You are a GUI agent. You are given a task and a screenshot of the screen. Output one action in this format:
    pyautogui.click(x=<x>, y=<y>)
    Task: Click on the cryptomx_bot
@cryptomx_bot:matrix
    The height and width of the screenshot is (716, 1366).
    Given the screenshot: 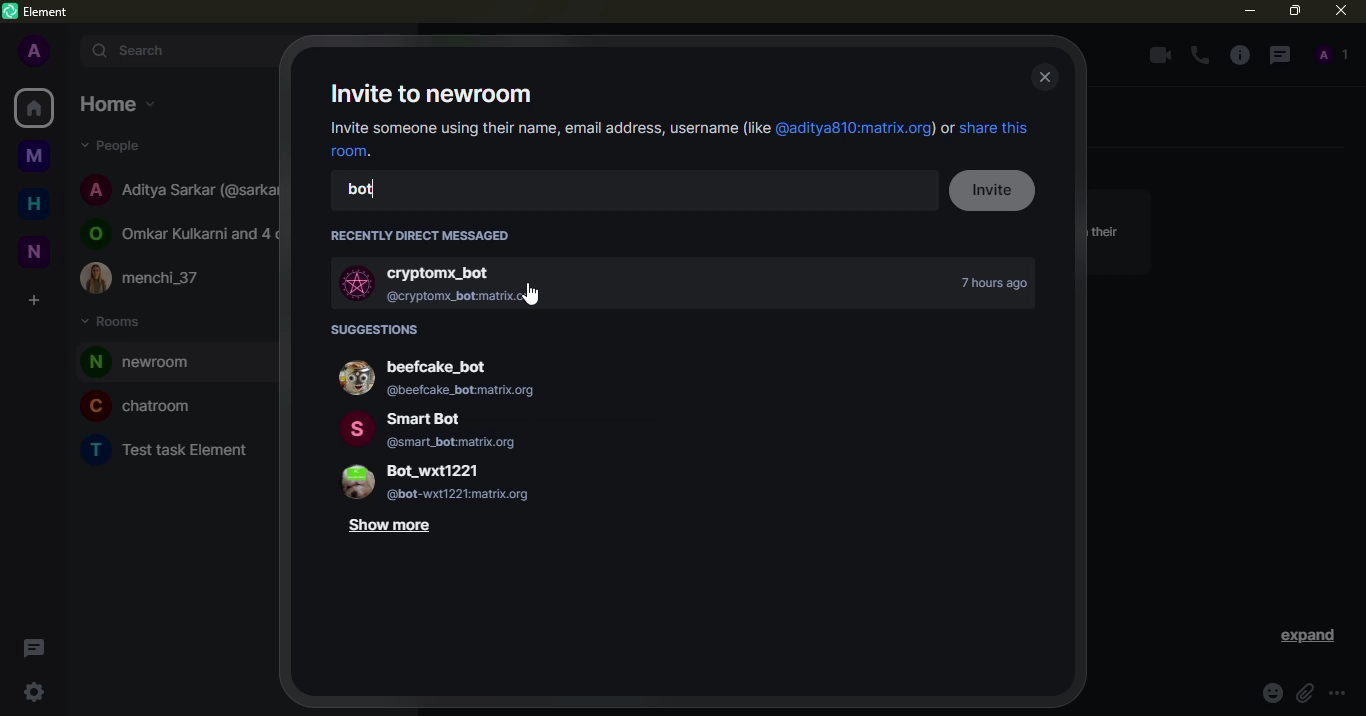 What is the action you would take?
    pyautogui.click(x=422, y=281)
    